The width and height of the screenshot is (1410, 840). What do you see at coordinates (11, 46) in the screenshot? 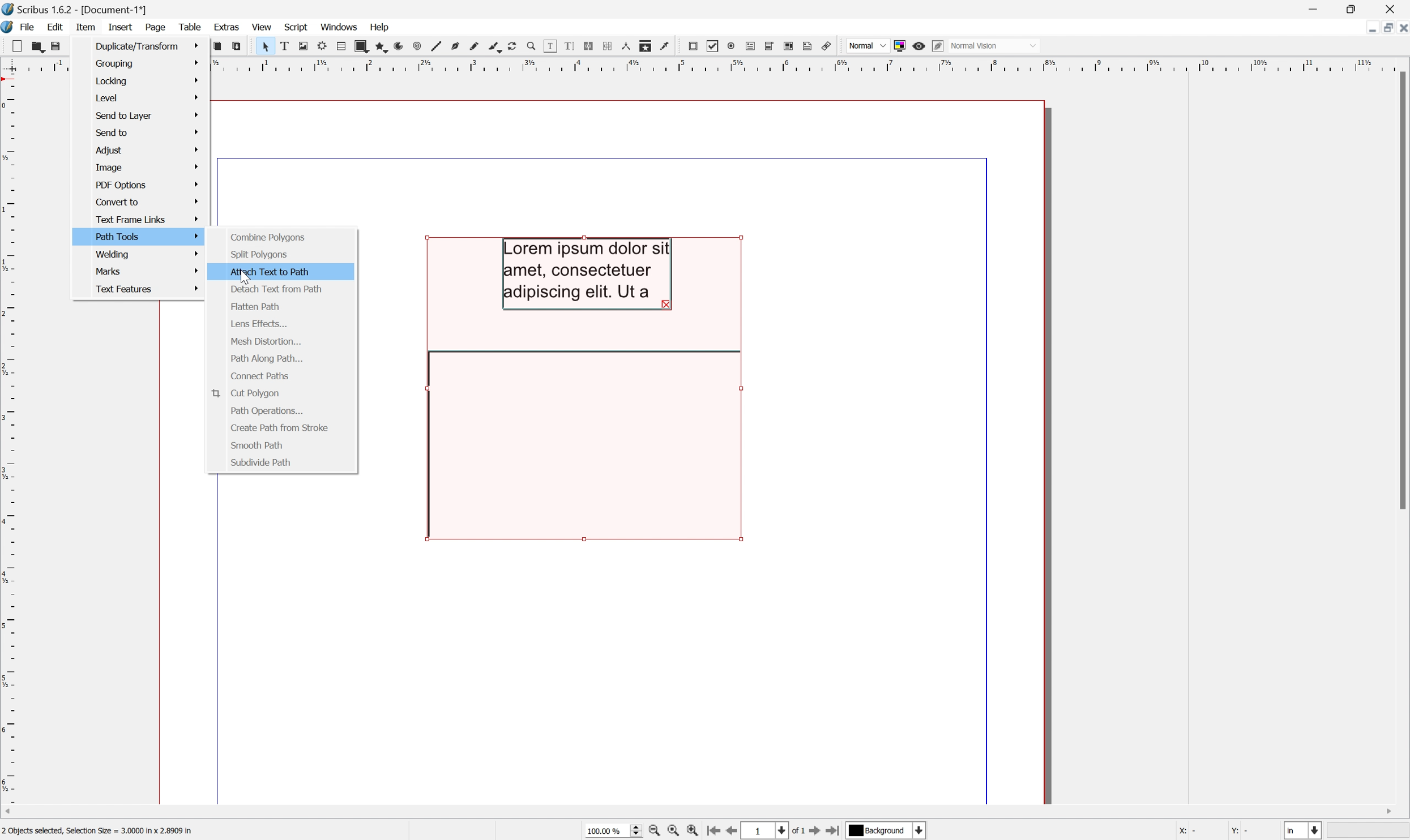
I see `New` at bounding box center [11, 46].